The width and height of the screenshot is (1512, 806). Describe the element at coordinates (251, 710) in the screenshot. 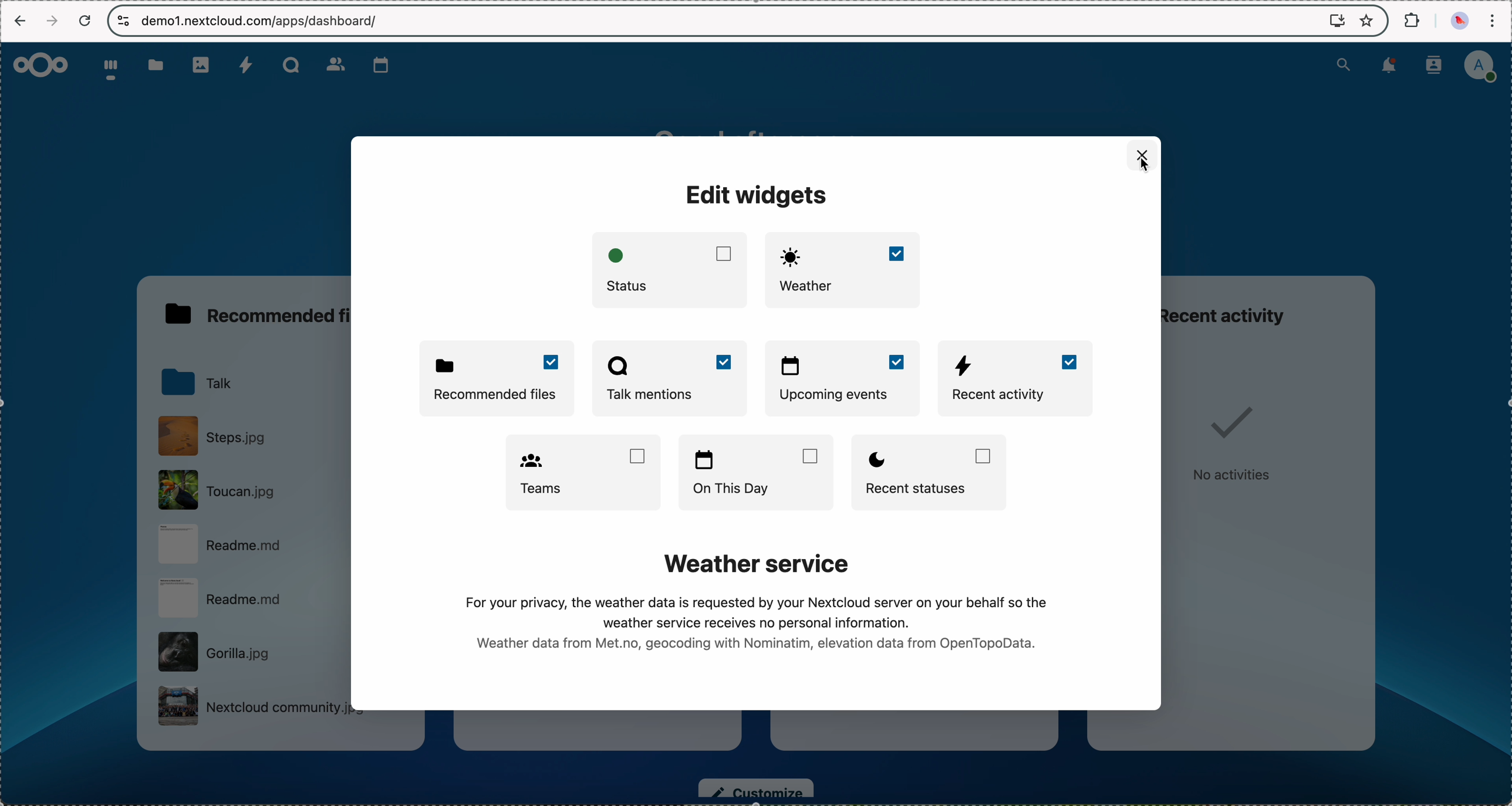

I see `NExtcloud community` at that location.